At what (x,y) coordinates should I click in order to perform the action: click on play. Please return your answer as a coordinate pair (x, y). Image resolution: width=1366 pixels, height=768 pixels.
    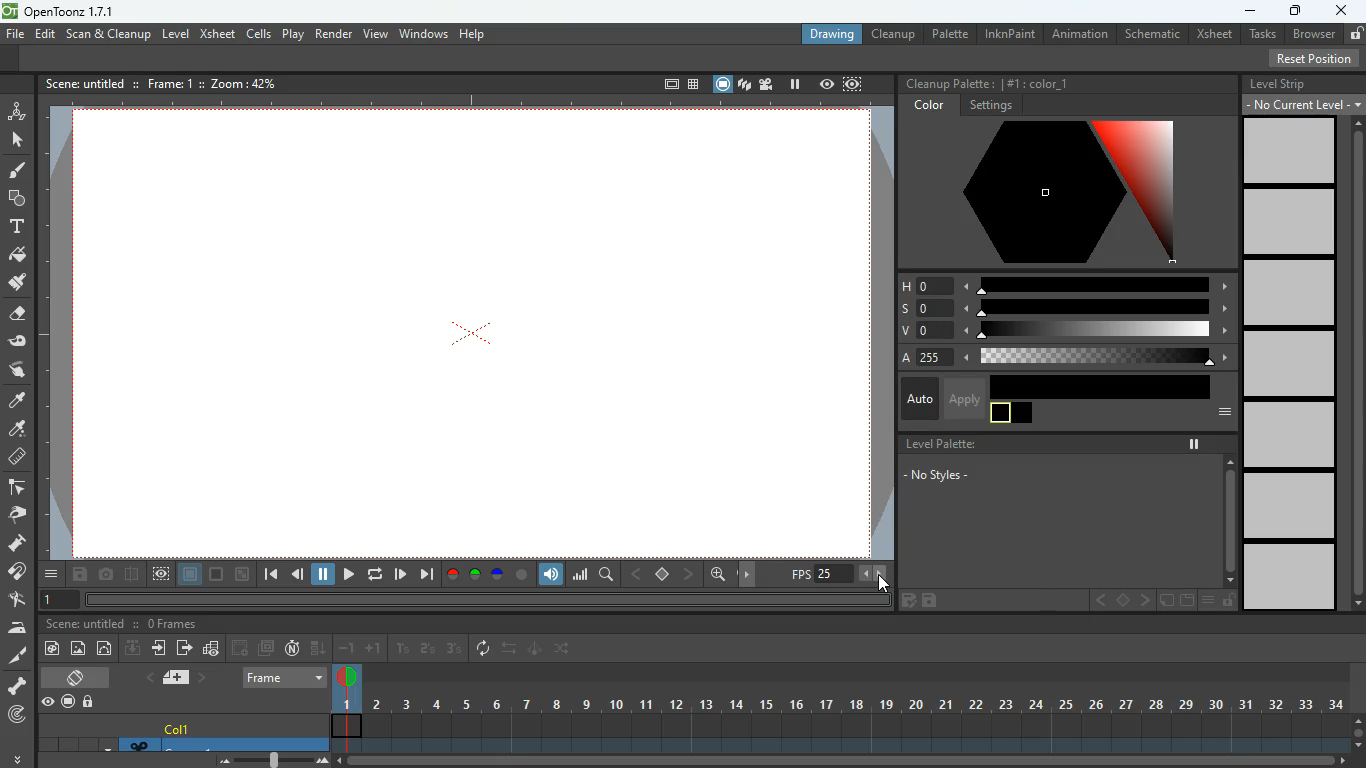
    Looking at the image, I should click on (292, 34).